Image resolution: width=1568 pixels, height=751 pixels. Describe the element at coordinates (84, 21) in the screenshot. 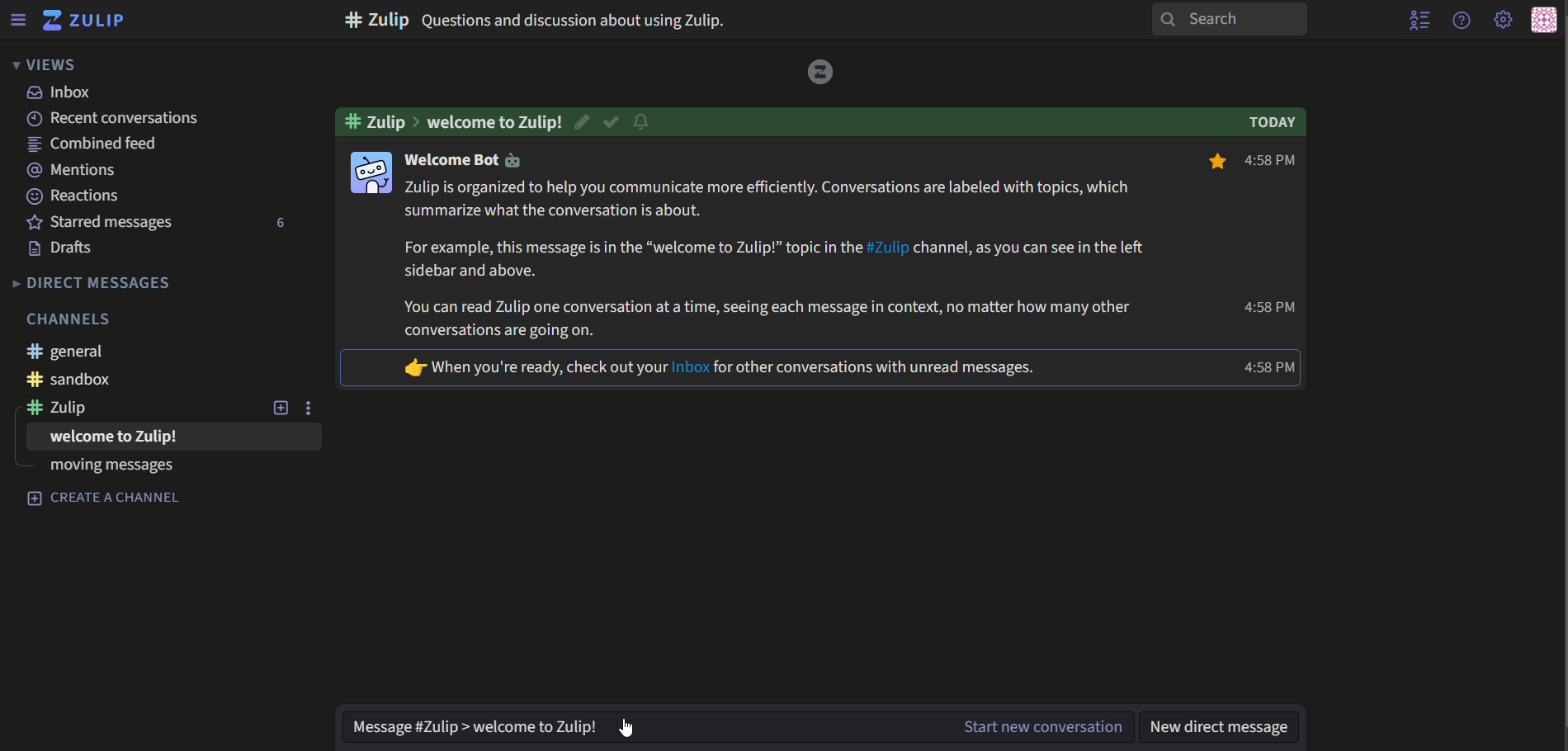

I see `logo and title` at that location.